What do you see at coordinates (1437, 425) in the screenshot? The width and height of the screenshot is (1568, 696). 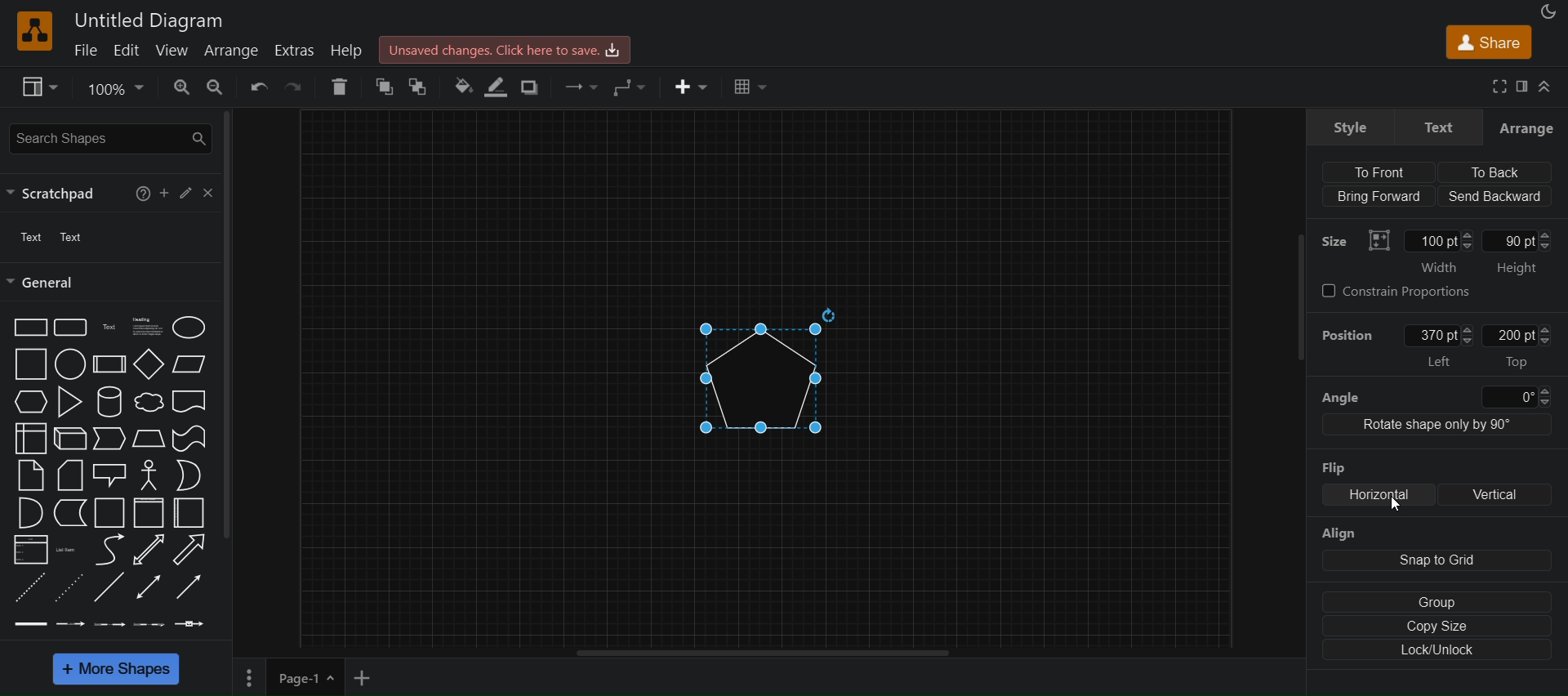 I see `Rotate shape only by 90 degree` at bounding box center [1437, 425].